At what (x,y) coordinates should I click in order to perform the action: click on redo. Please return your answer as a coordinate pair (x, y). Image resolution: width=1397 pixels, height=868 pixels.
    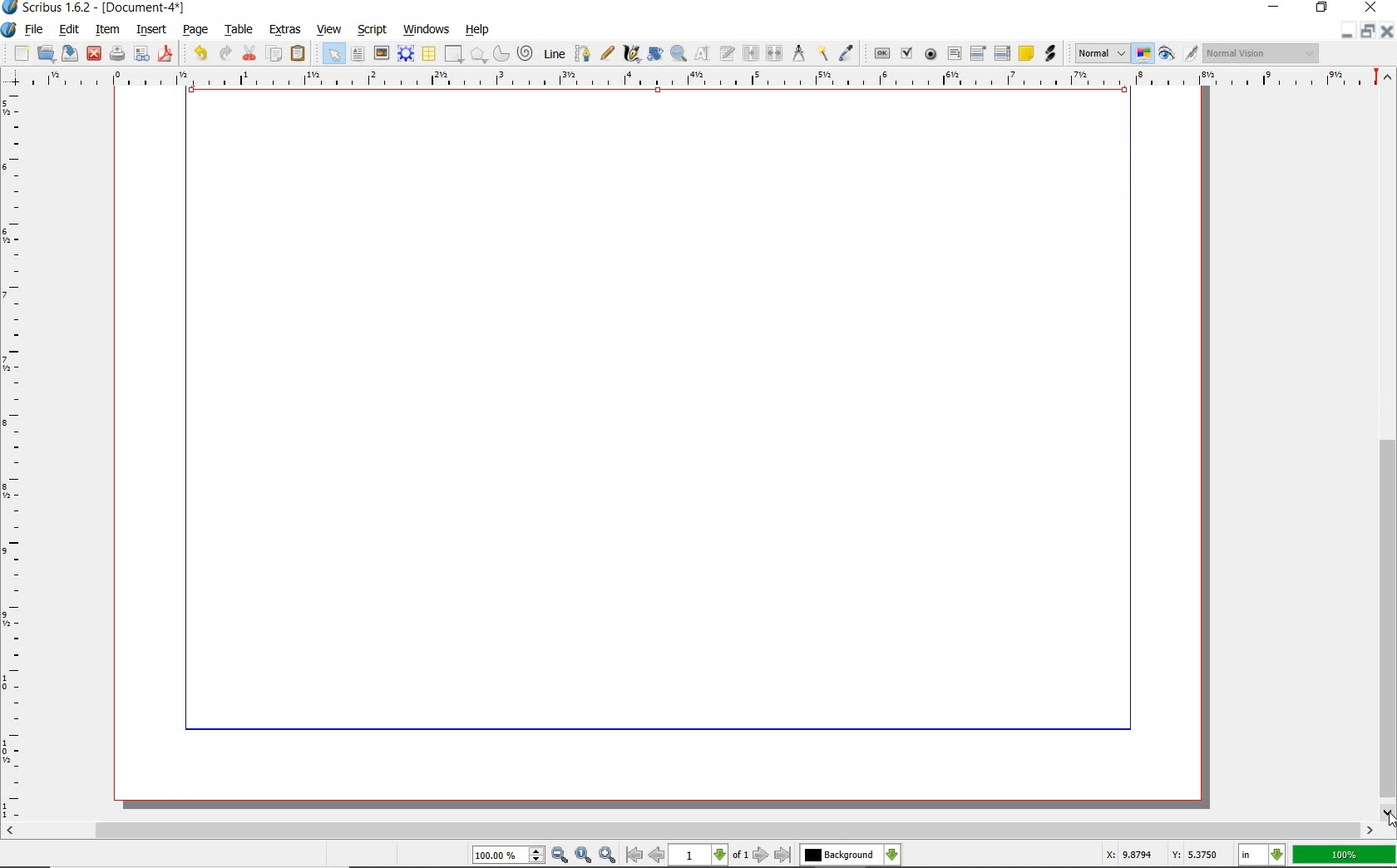
    Looking at the image, I should click on (227, 53).